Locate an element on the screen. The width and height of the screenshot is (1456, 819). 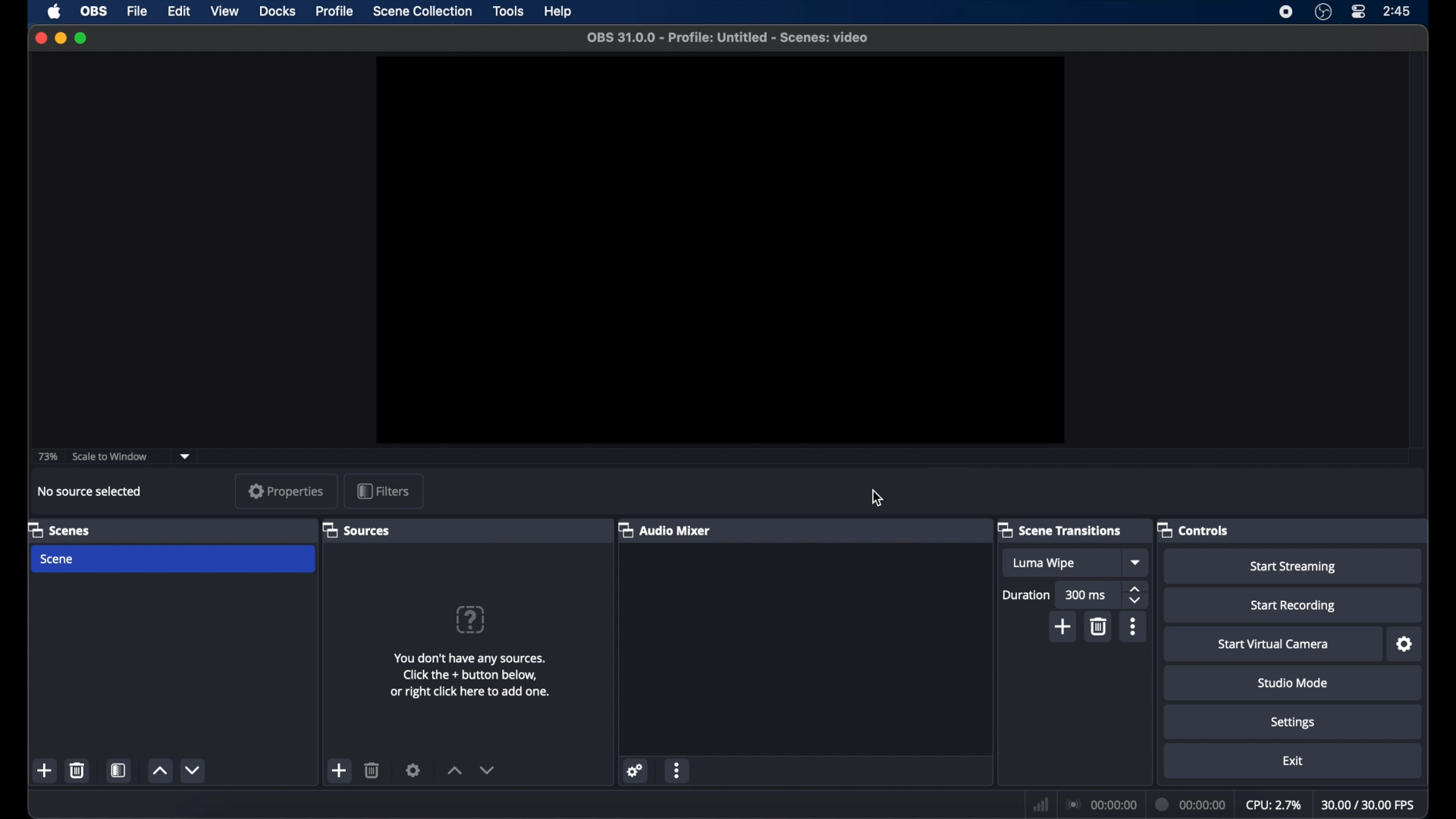
delete is located at coordinates (78, 770).